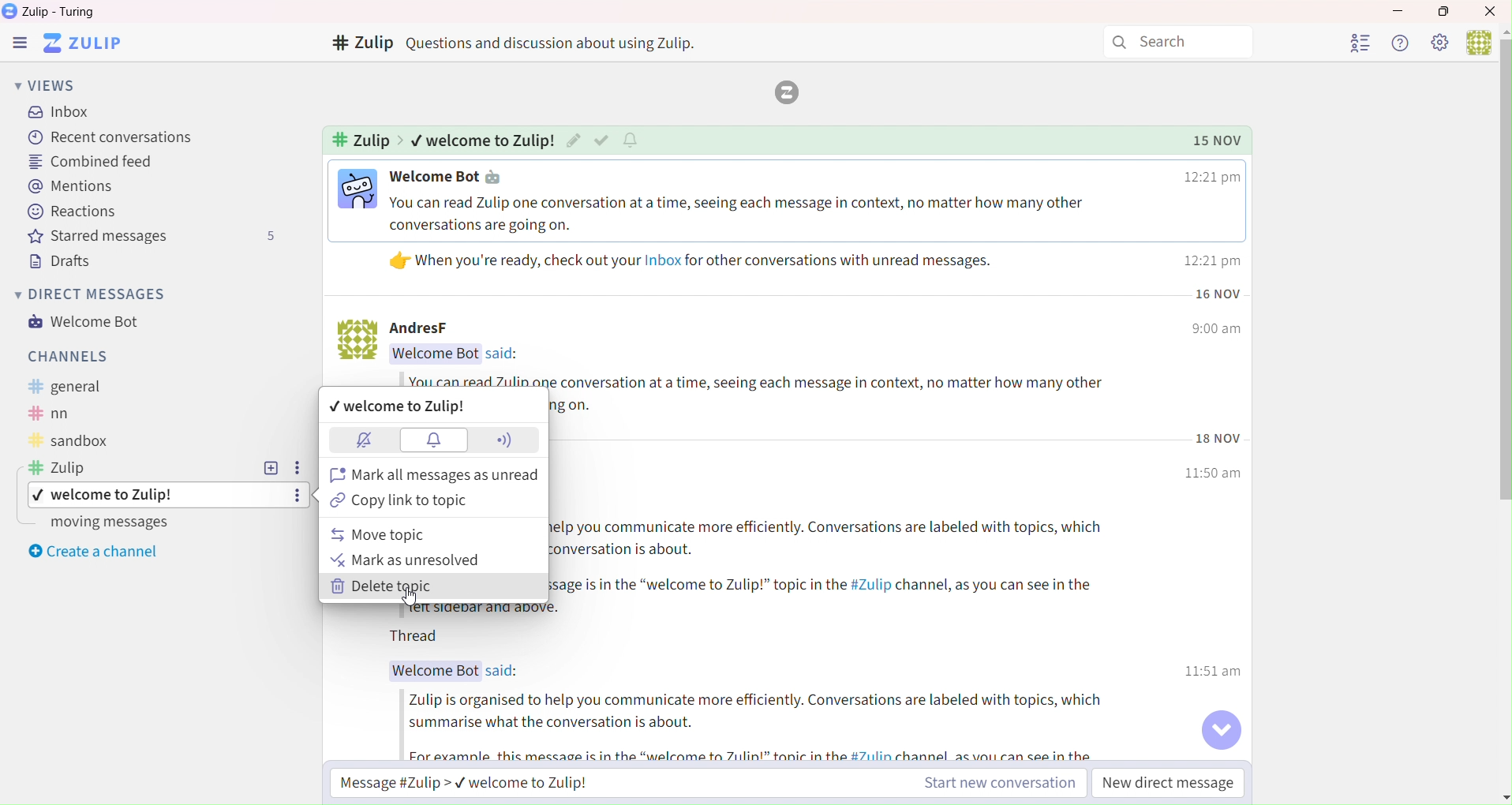  I want to click on Time, so click(1218, 295).